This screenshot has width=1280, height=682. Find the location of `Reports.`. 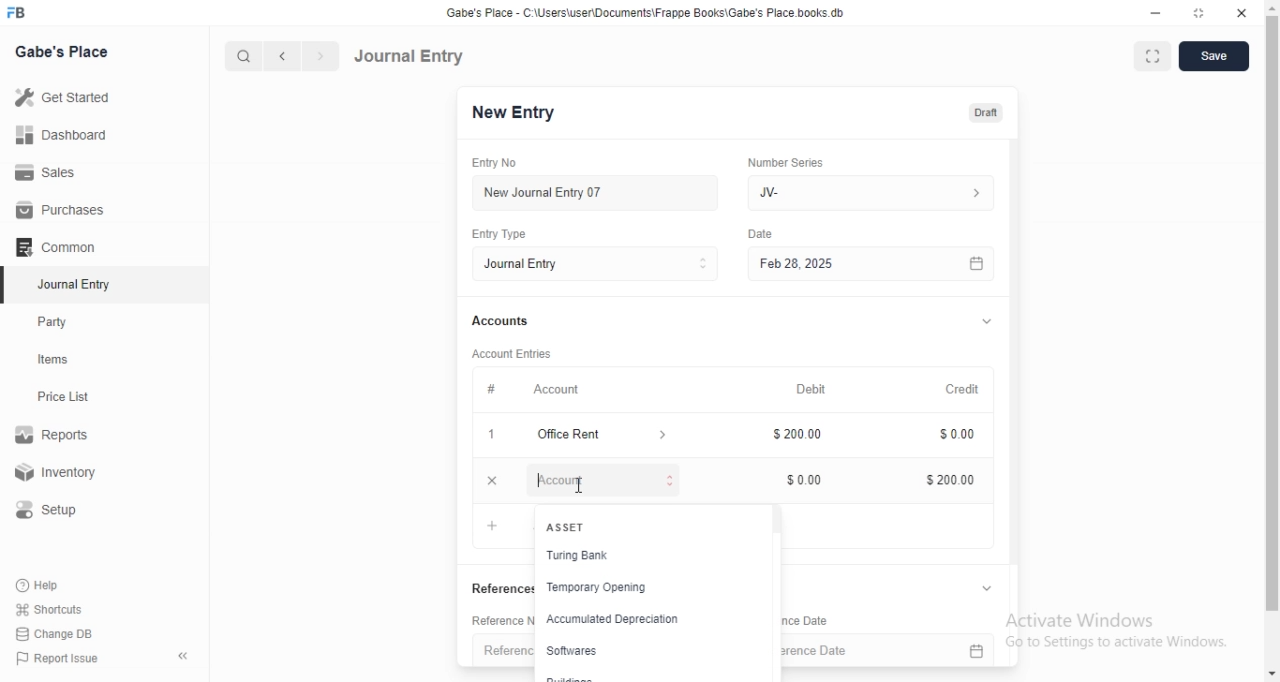

Reports. is located at coordinates (55, 438).